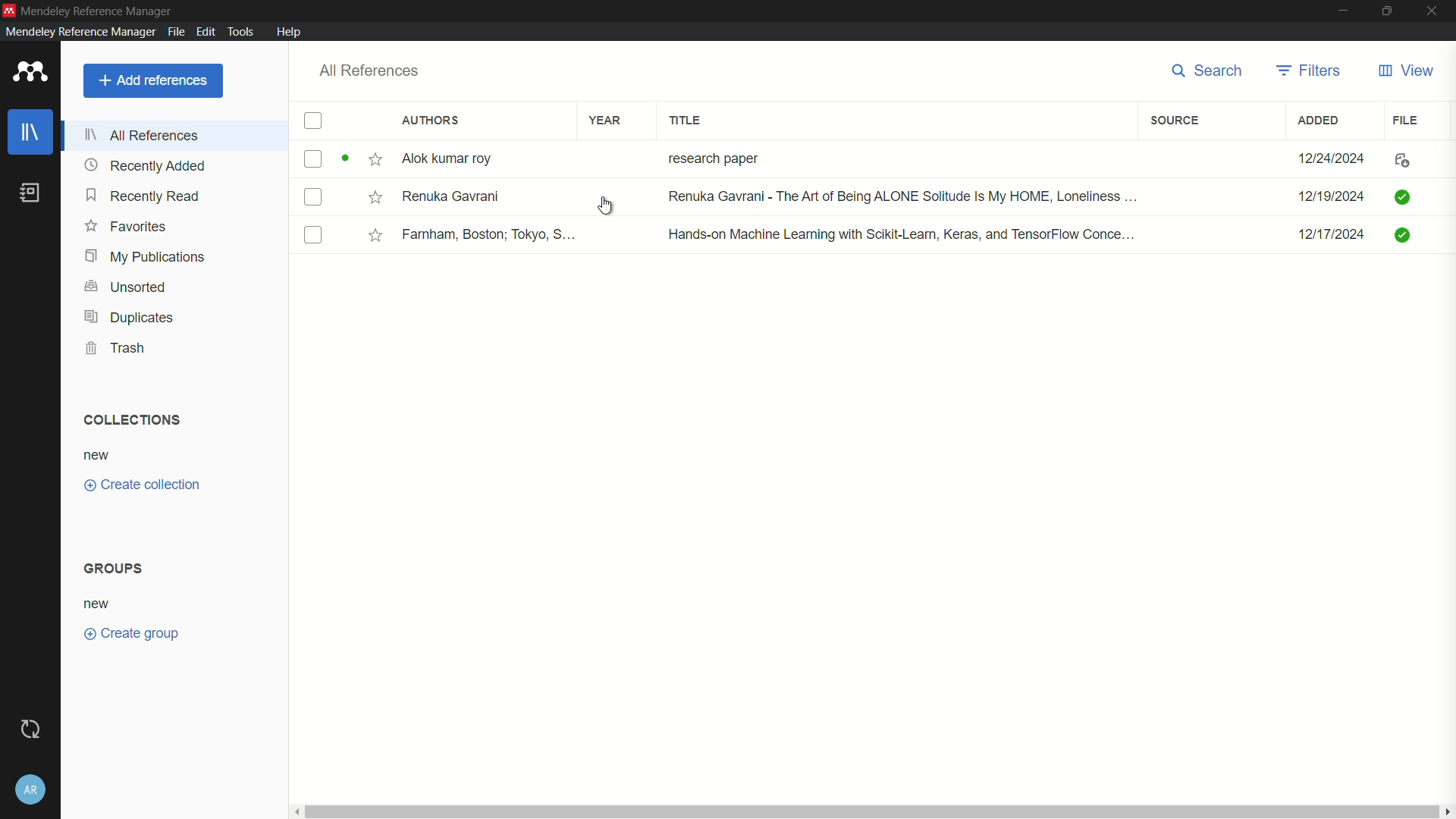 The height and width of the screenshot is (819, 1456). I want to click on tools menu, so click(240, 32).